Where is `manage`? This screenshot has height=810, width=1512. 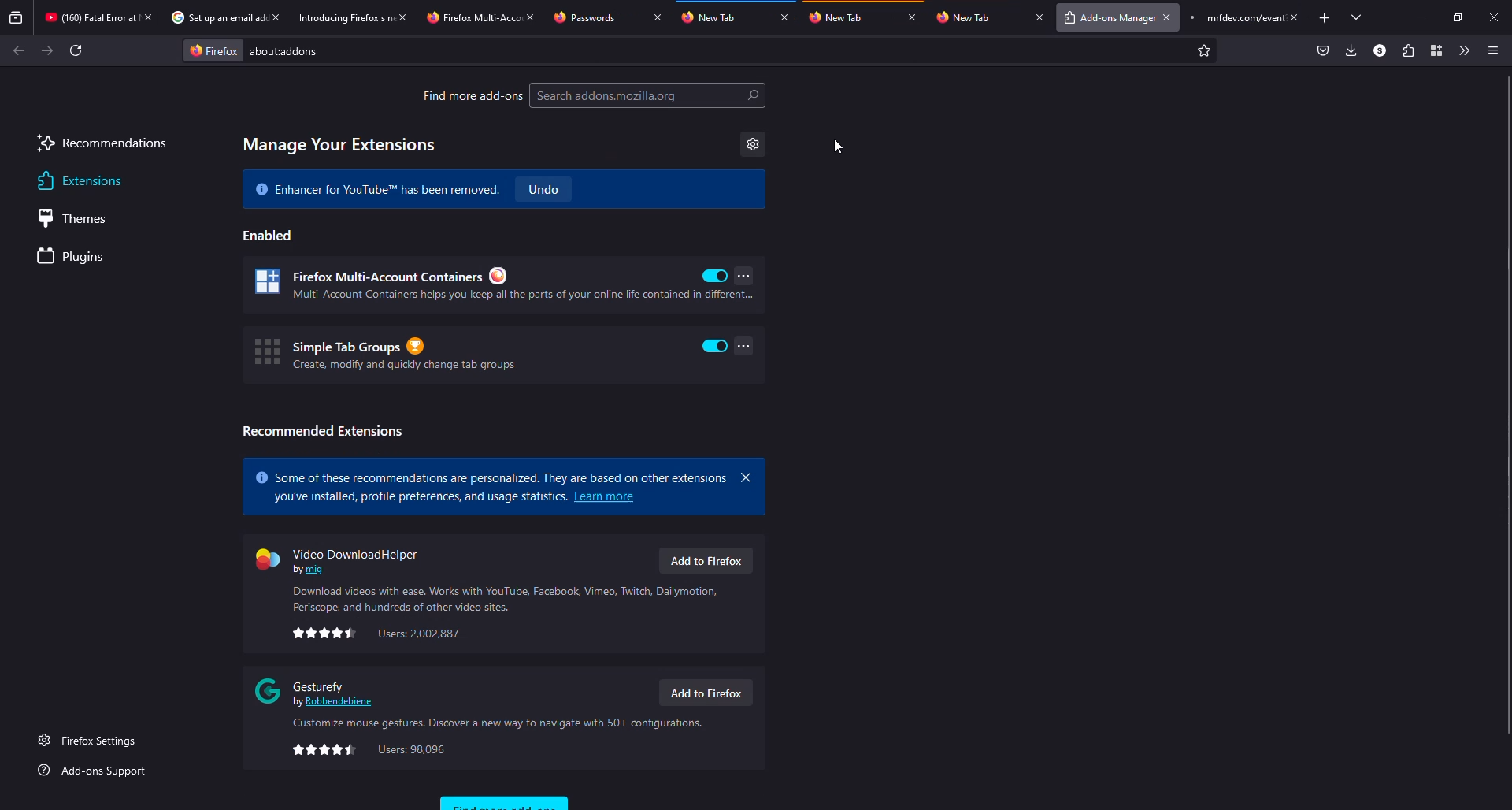 manage is located at coordinates (340, 145).